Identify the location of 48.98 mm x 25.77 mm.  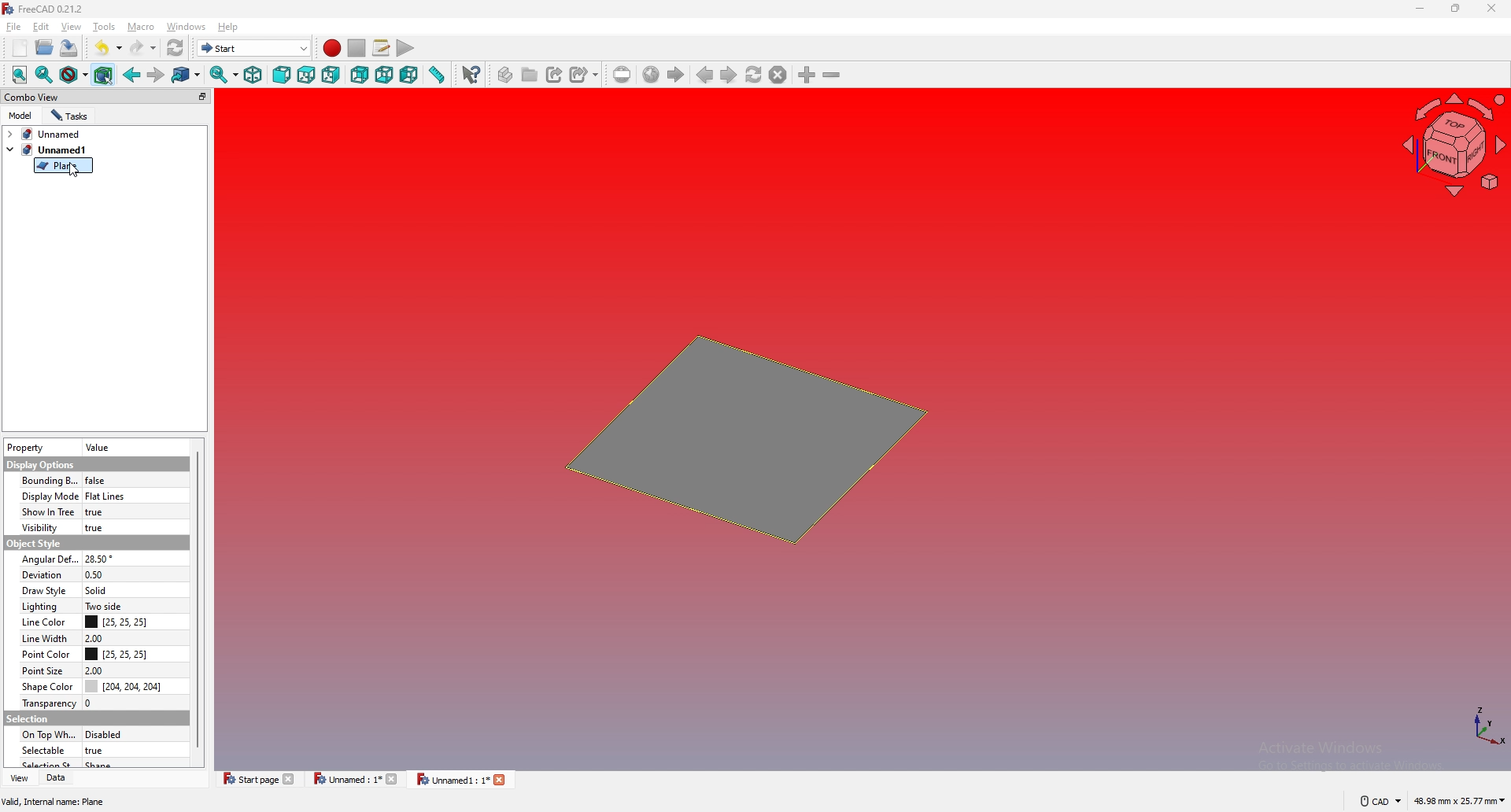
(1461, 802).